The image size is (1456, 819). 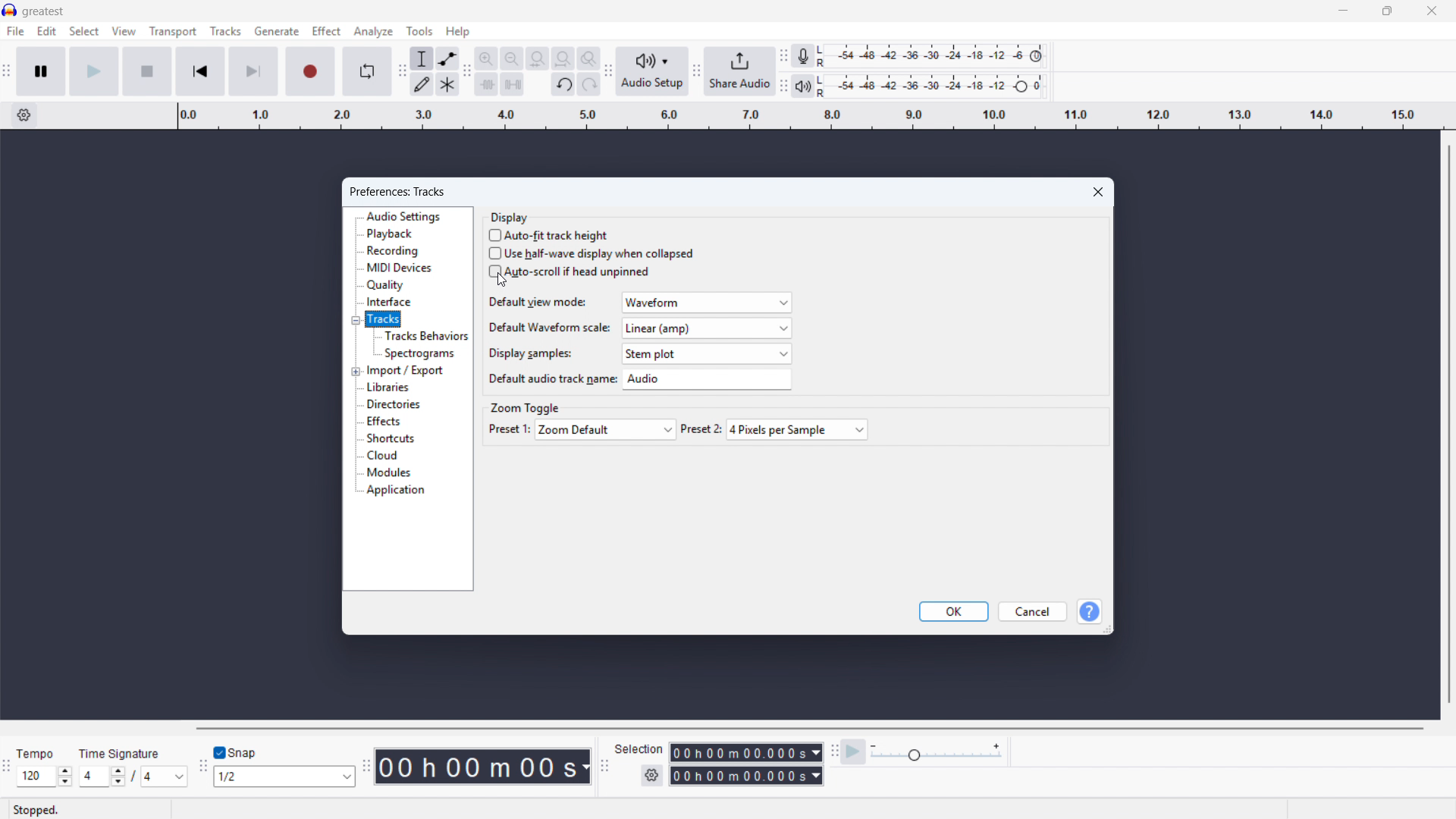 I want to click on redo, so click(x=589, y=84).